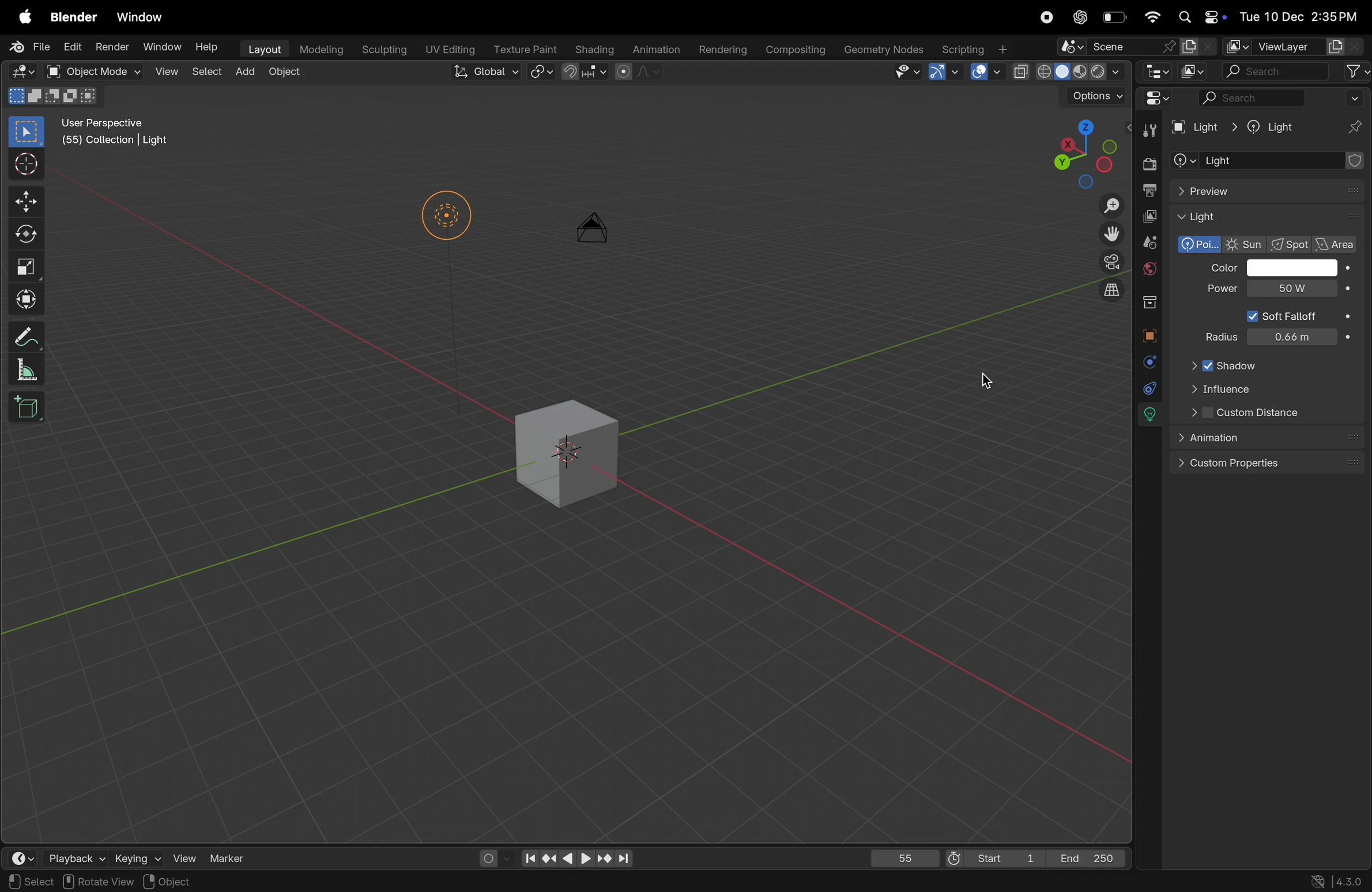  Describe the element at coordinates (262, 48) in the screenshot. I see `layout` at that location.